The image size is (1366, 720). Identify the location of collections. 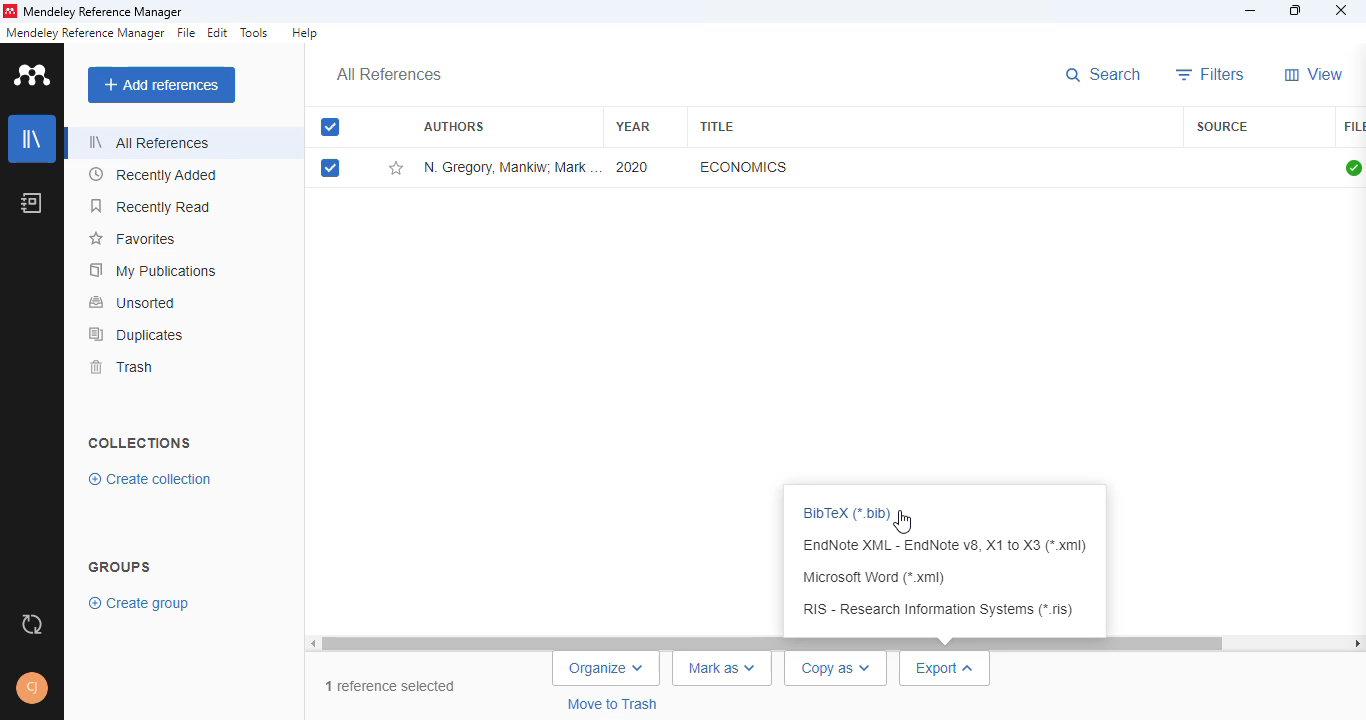
(139, 443).